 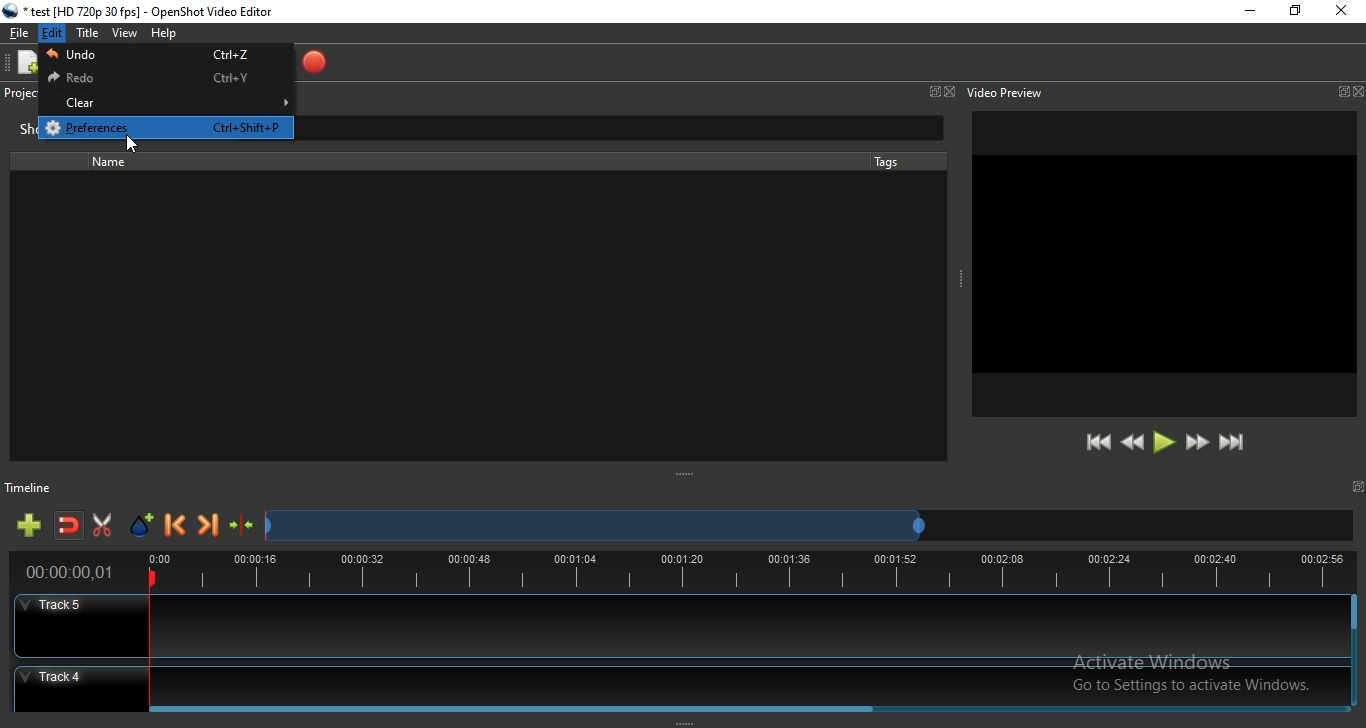 I want to click on Jump to end, so click(x=1233, y=443).